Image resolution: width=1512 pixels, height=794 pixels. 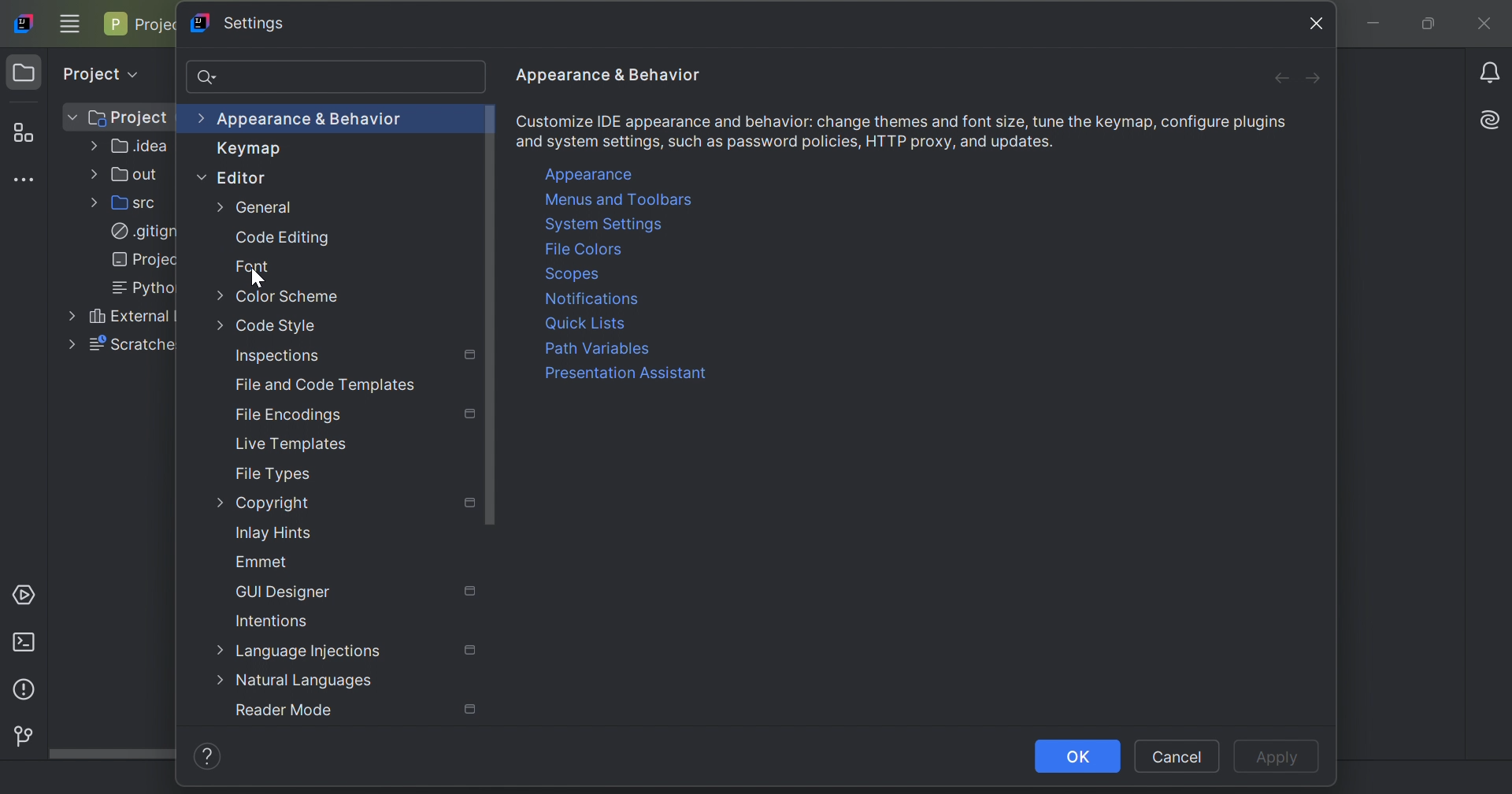 I want to click on cursor, so click(x=258, y=276).